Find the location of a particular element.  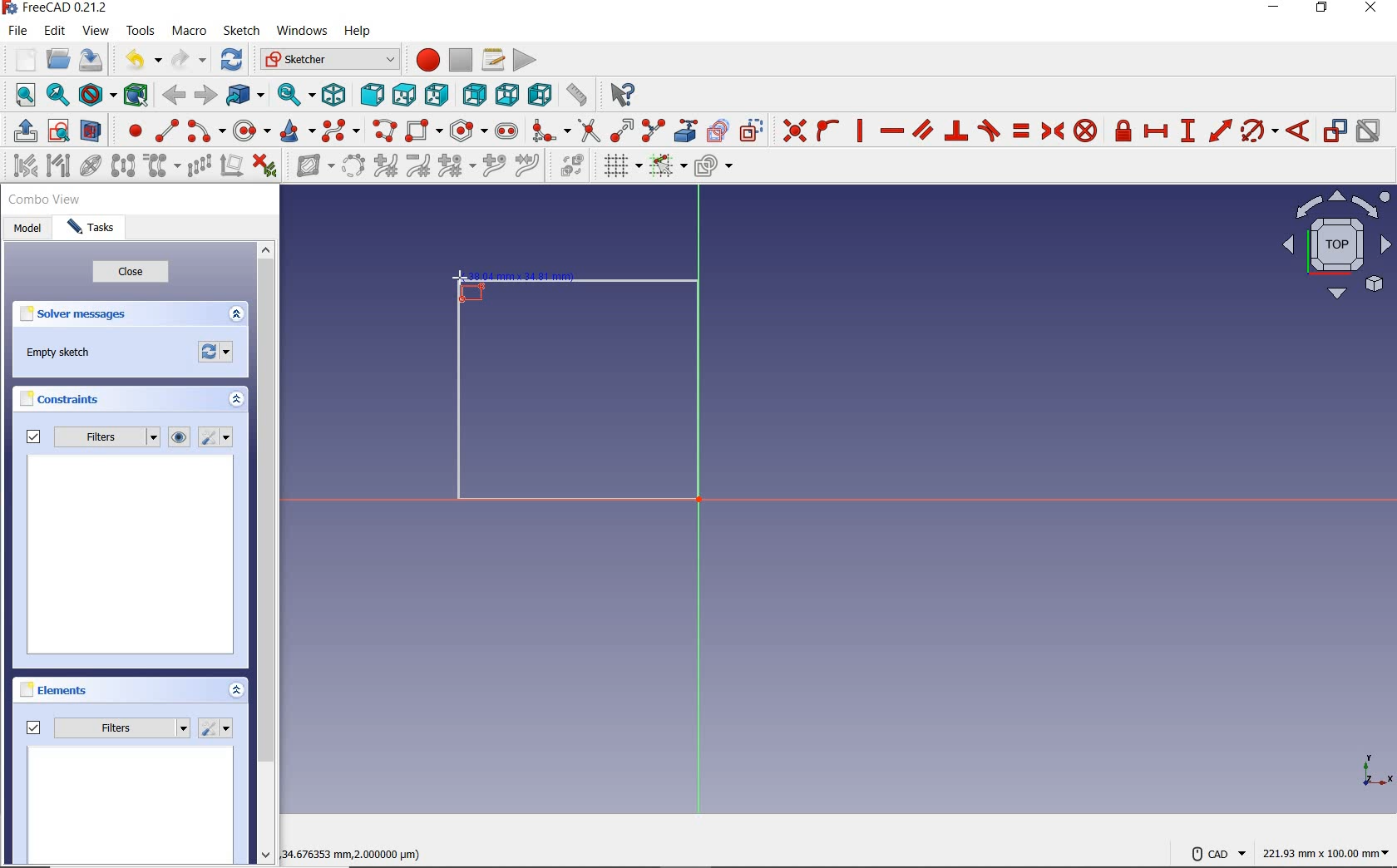

sync view is located at coordinates (292, 96).